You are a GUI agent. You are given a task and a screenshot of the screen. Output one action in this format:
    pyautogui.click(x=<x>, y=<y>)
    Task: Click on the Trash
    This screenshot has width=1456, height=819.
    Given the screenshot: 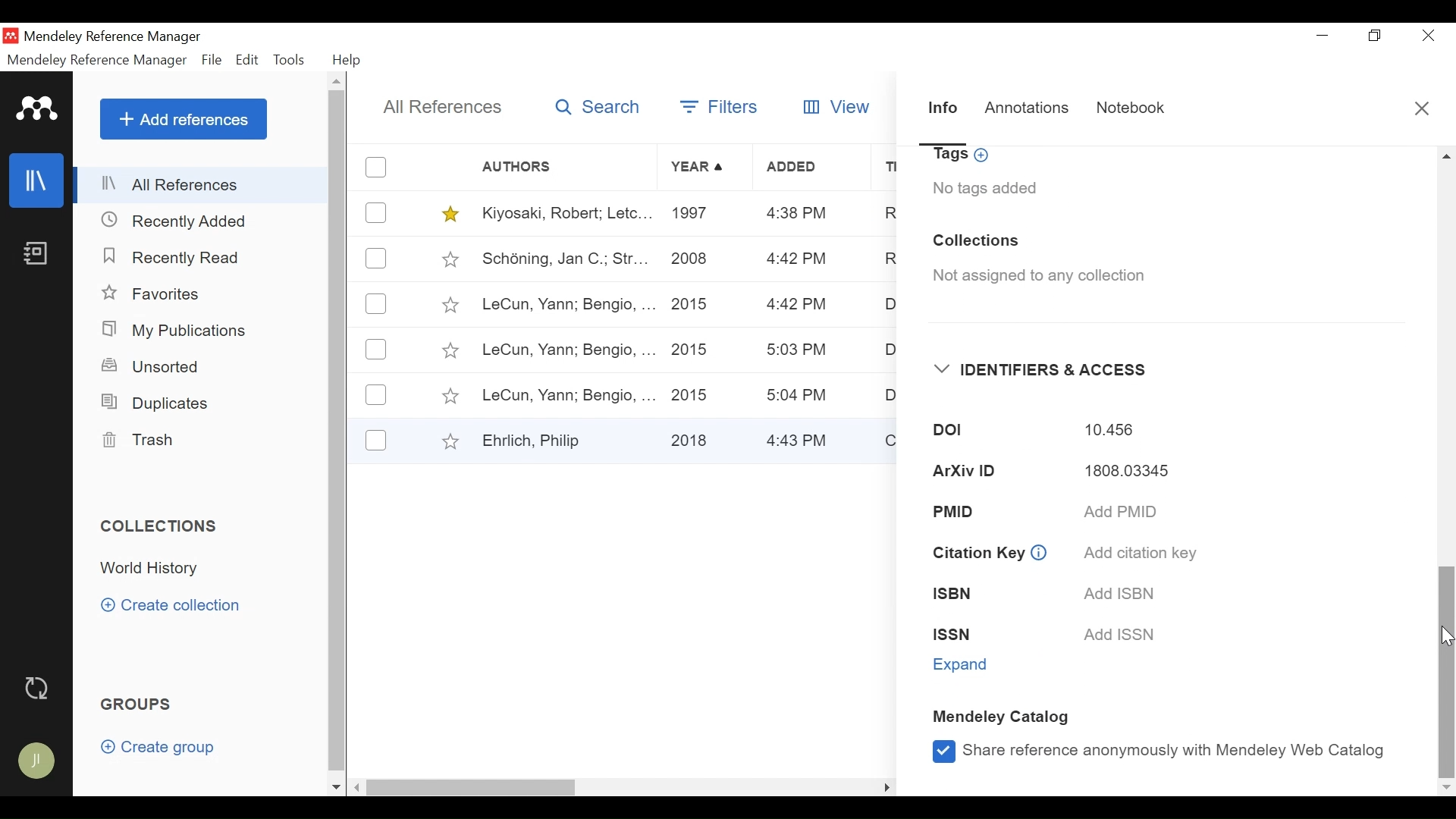 What is the action you would take?
    pyautogui.click(x=142, y=441)
    